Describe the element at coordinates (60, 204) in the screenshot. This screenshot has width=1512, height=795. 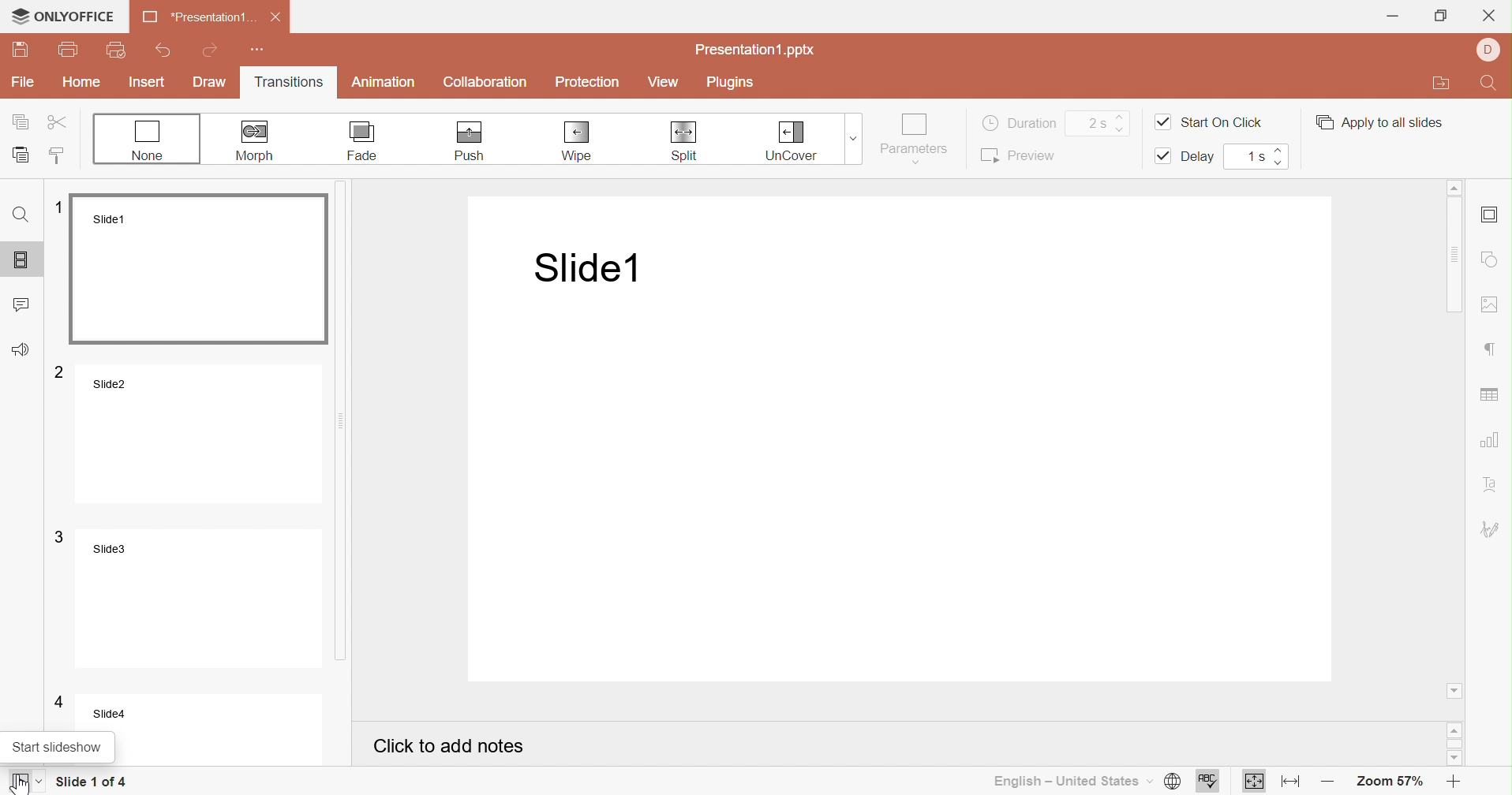
I see `1` at that location.